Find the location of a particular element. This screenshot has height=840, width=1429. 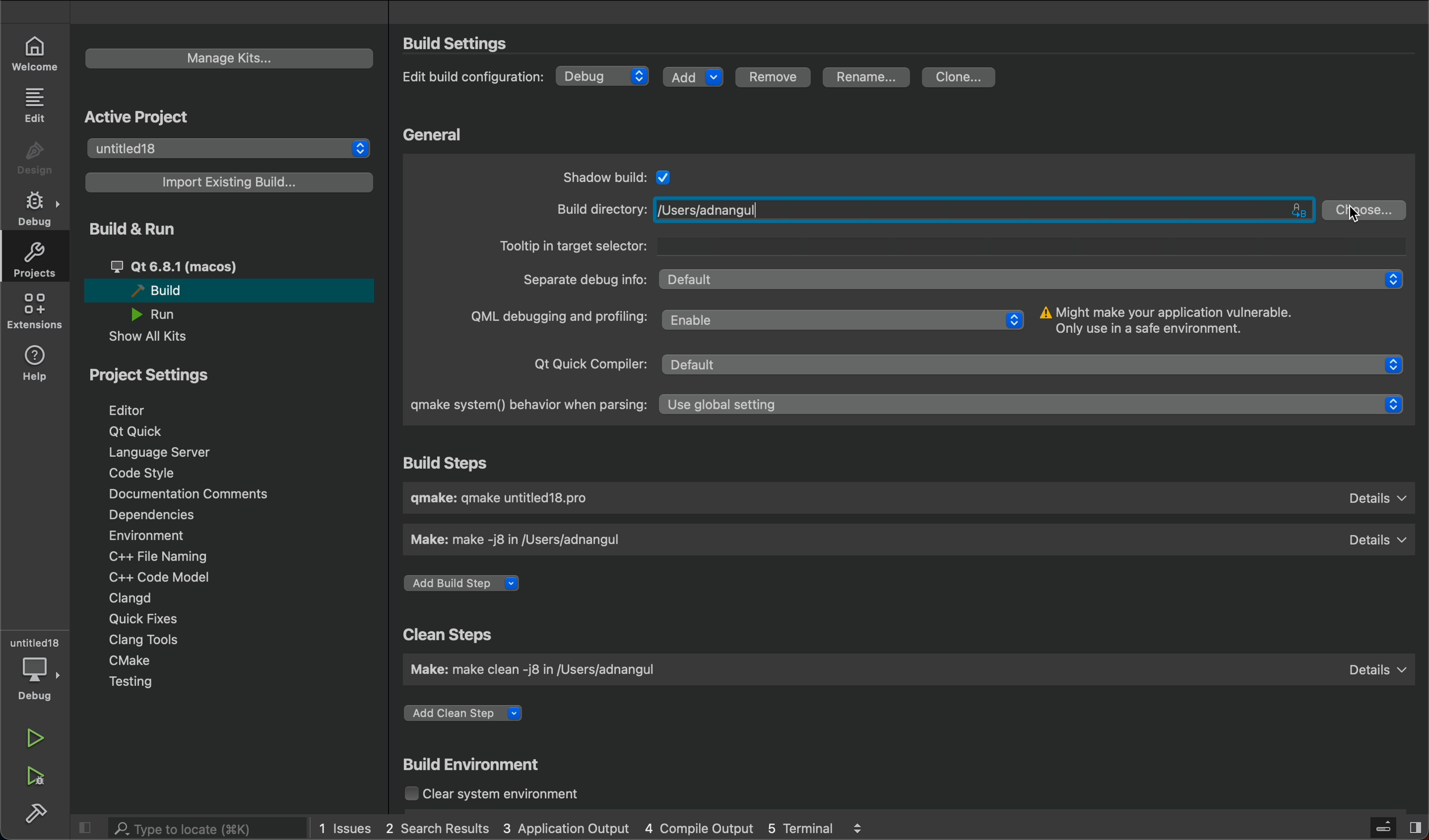

build settings is located at coordinates (477, 44).